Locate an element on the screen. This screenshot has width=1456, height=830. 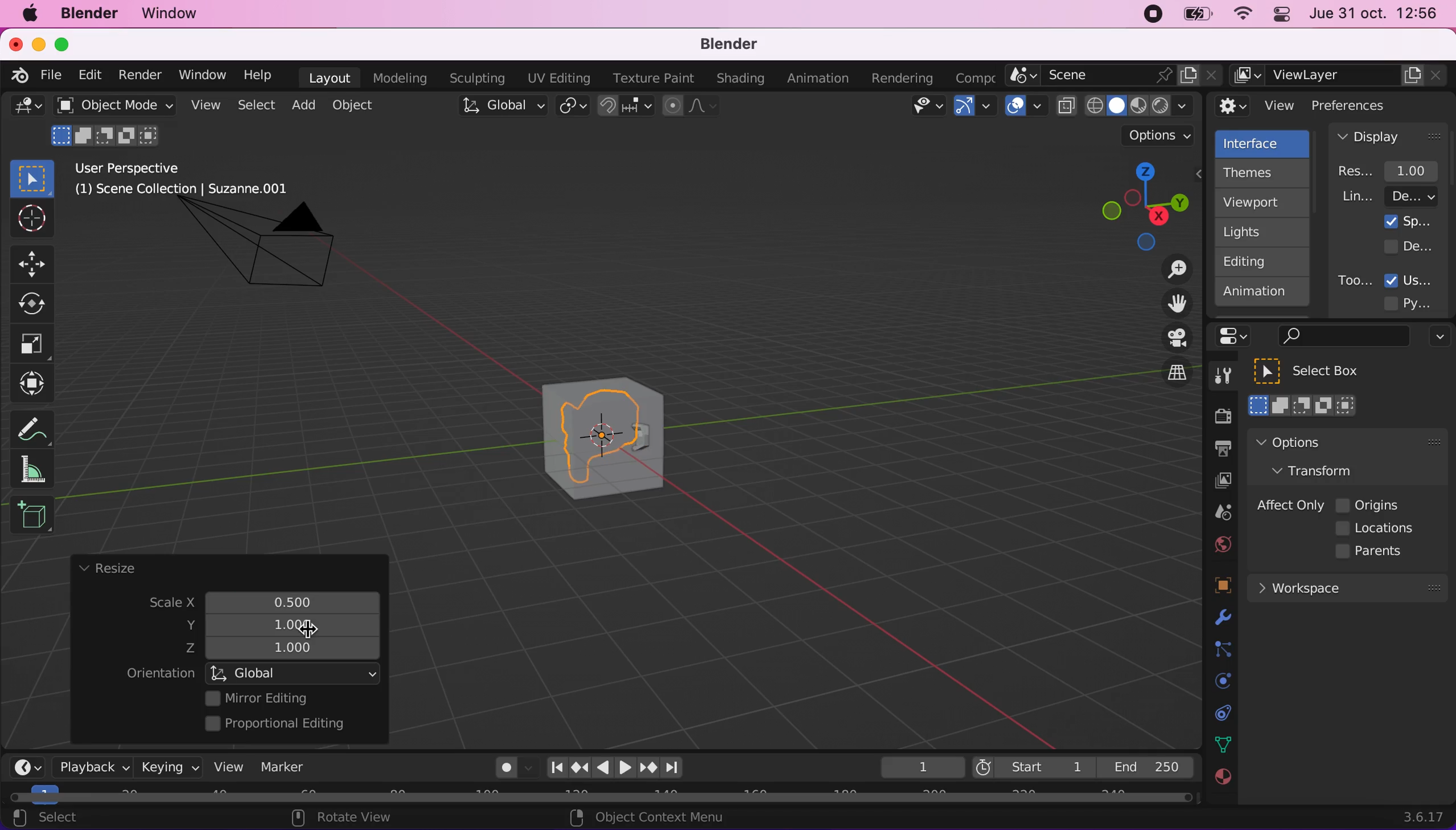
gizmos is located at coordinates (974, 109).